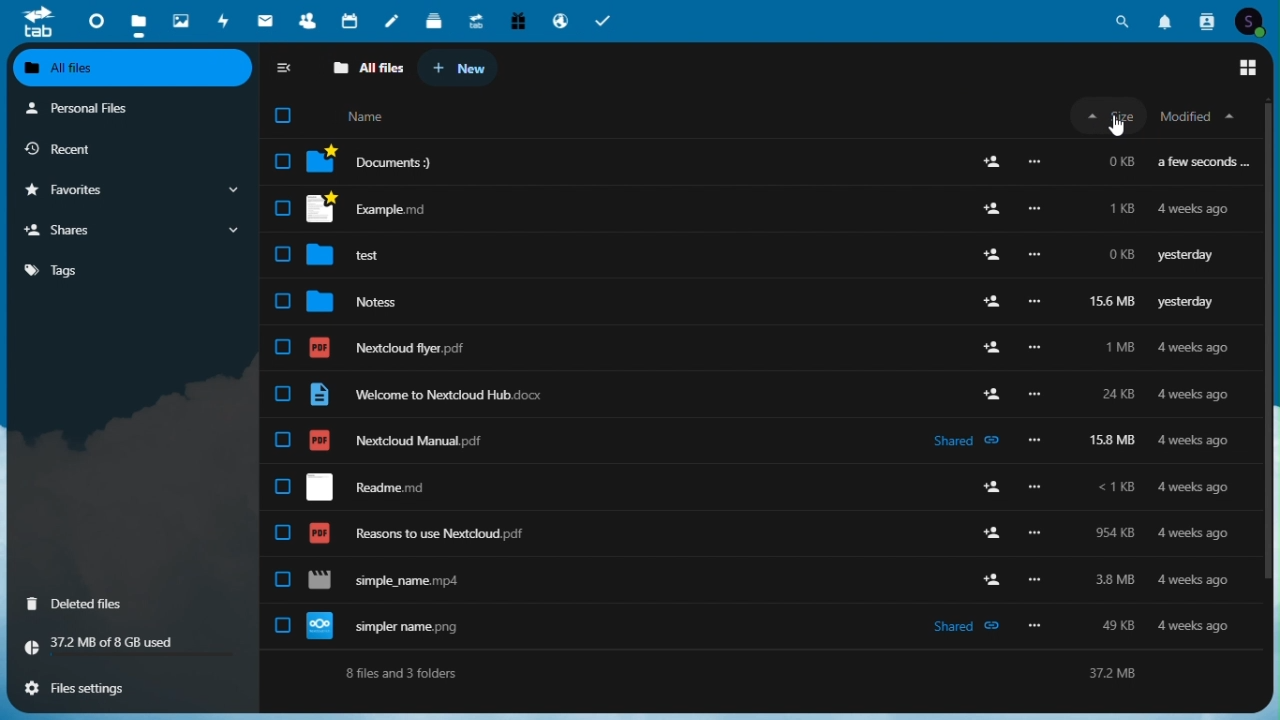 This screenshot has height=720, width=1280. What do you see at coordinates (1110, 114) in the screenshot?
I see `Size` at bounding box center [1110, 114].